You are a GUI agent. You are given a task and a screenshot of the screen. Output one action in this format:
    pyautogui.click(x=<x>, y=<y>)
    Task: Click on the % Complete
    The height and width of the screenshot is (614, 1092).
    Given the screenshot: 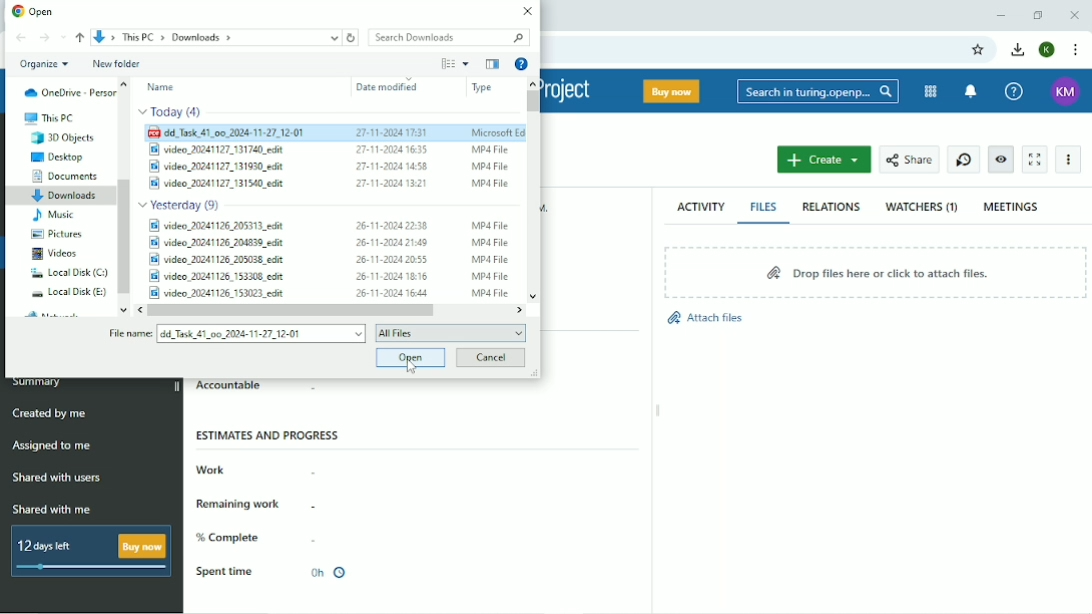 What is the action you would take?
    pyautogui.click(x=232, y=538)
    